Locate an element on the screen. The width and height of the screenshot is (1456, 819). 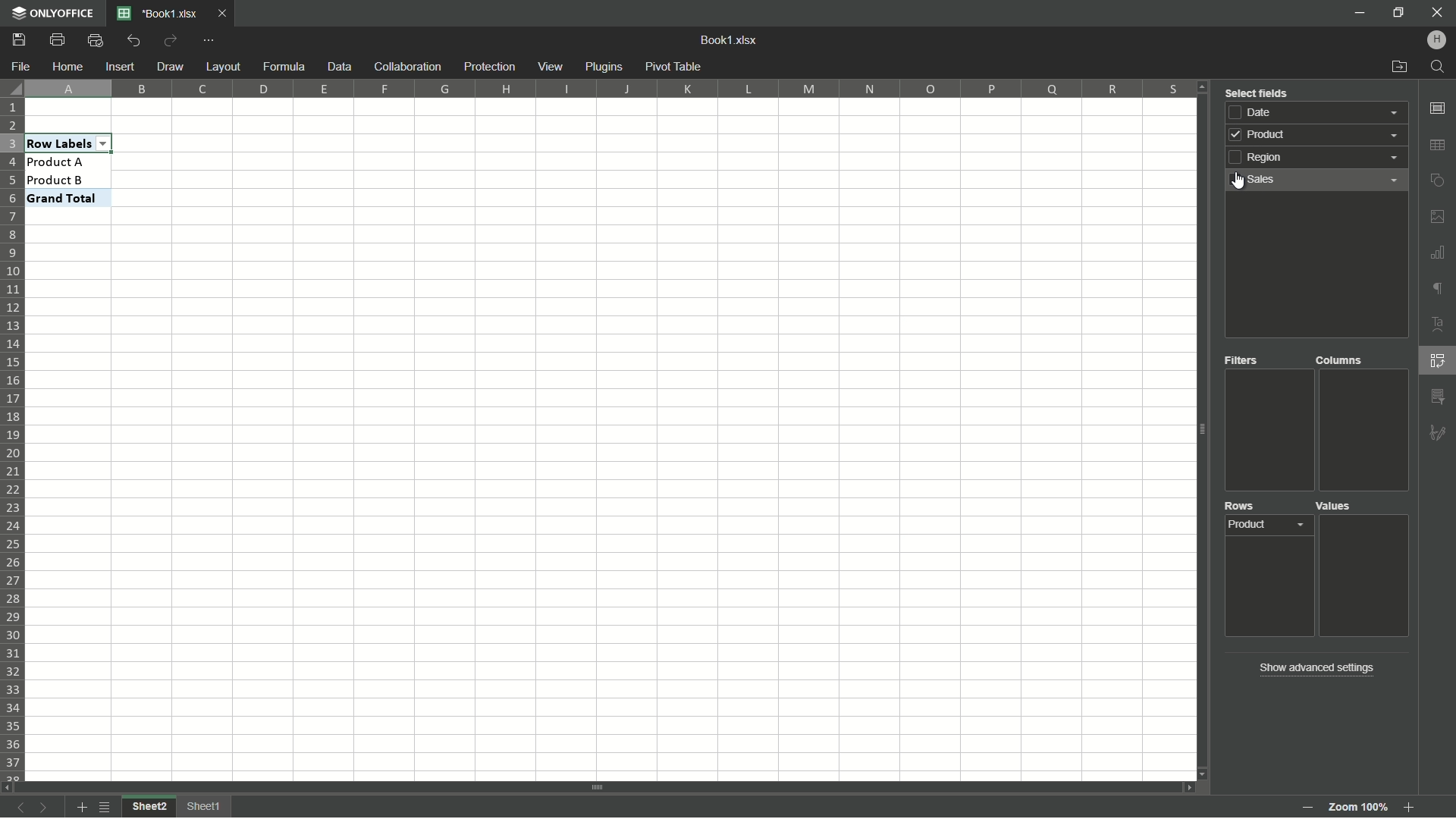
view is located at coordinates (551, 67).